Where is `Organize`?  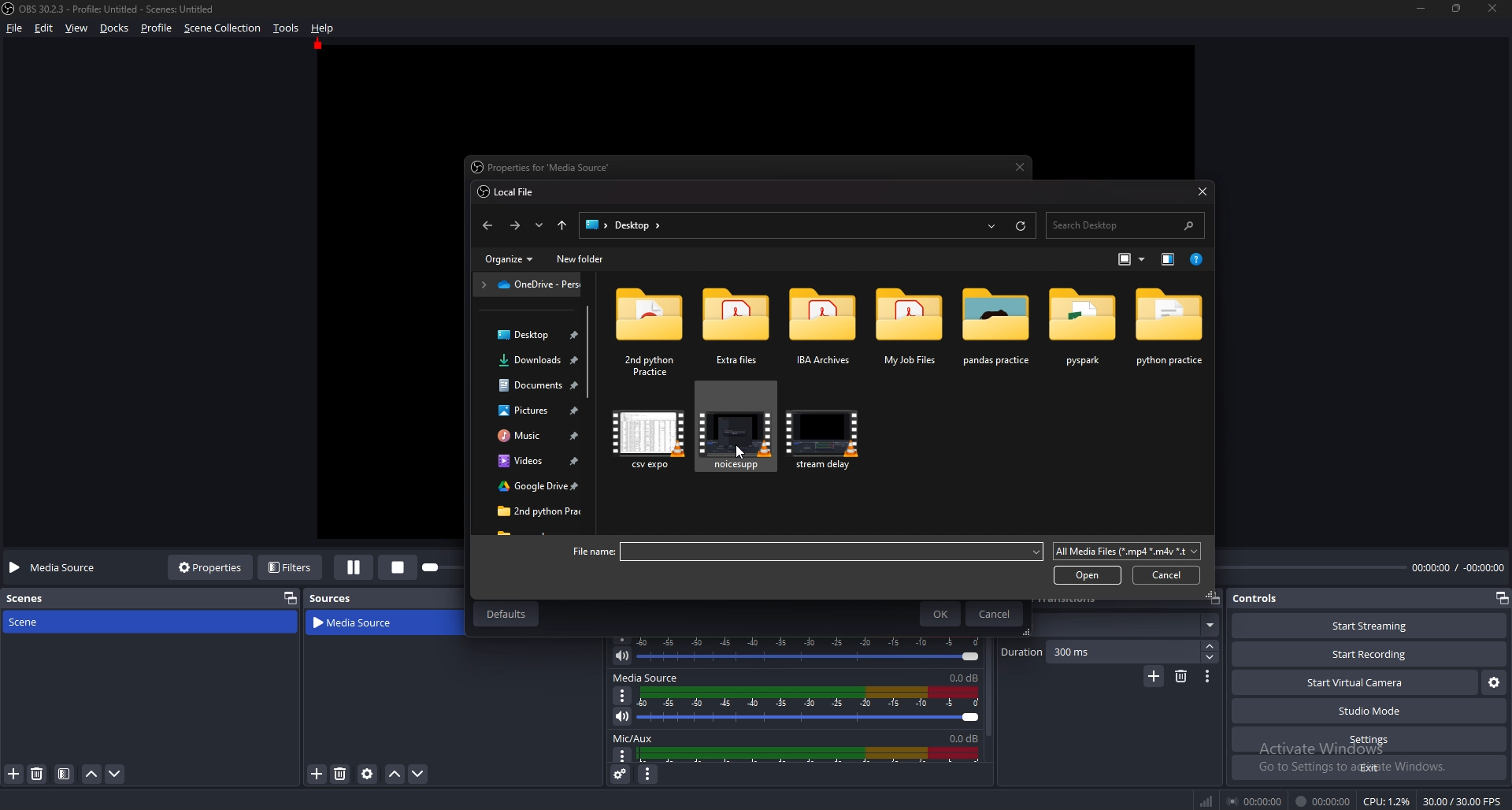
Organize is located at coordinates (513, 259).